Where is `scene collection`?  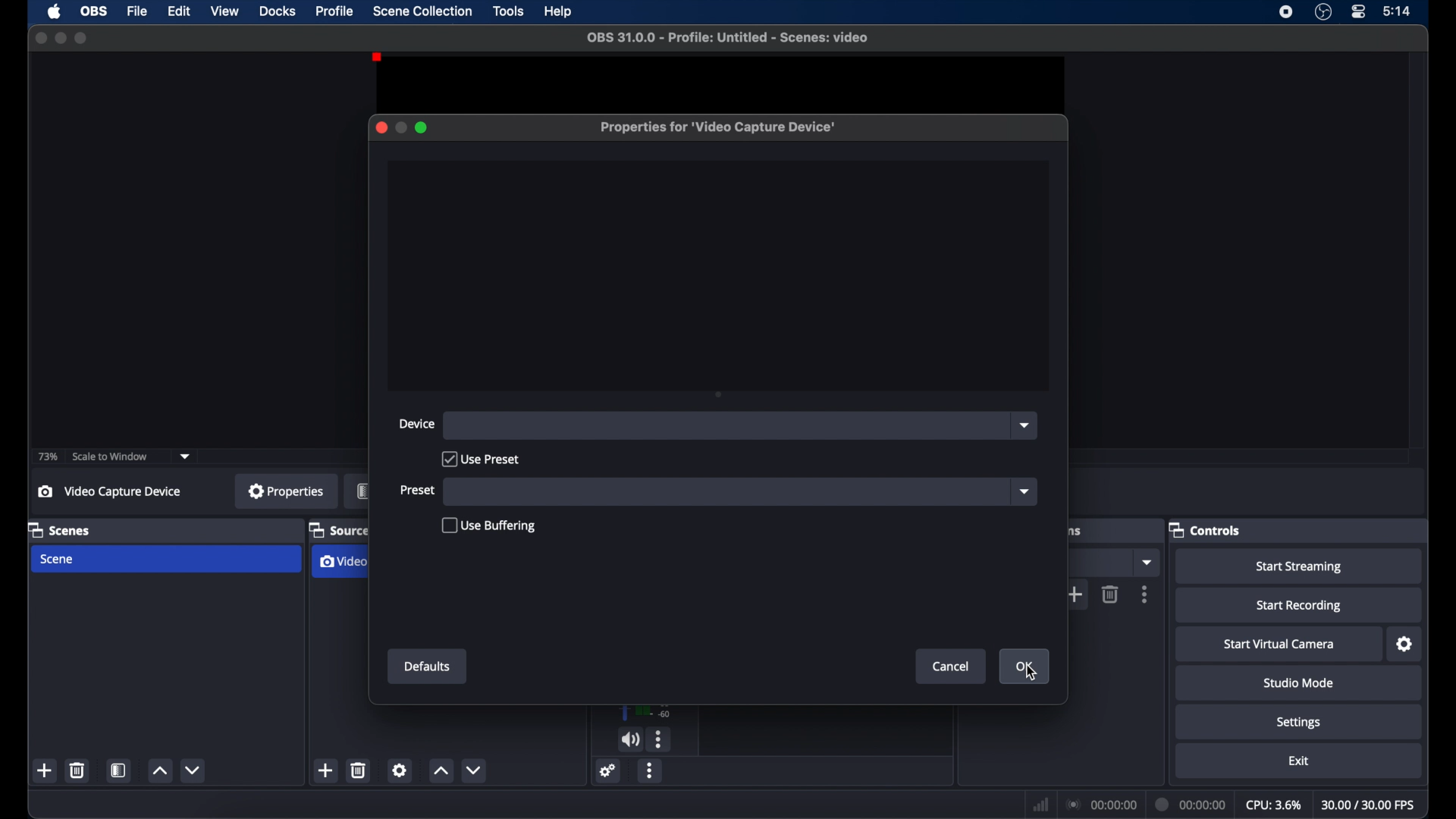
scene collection is located at coordinates (422, 11).